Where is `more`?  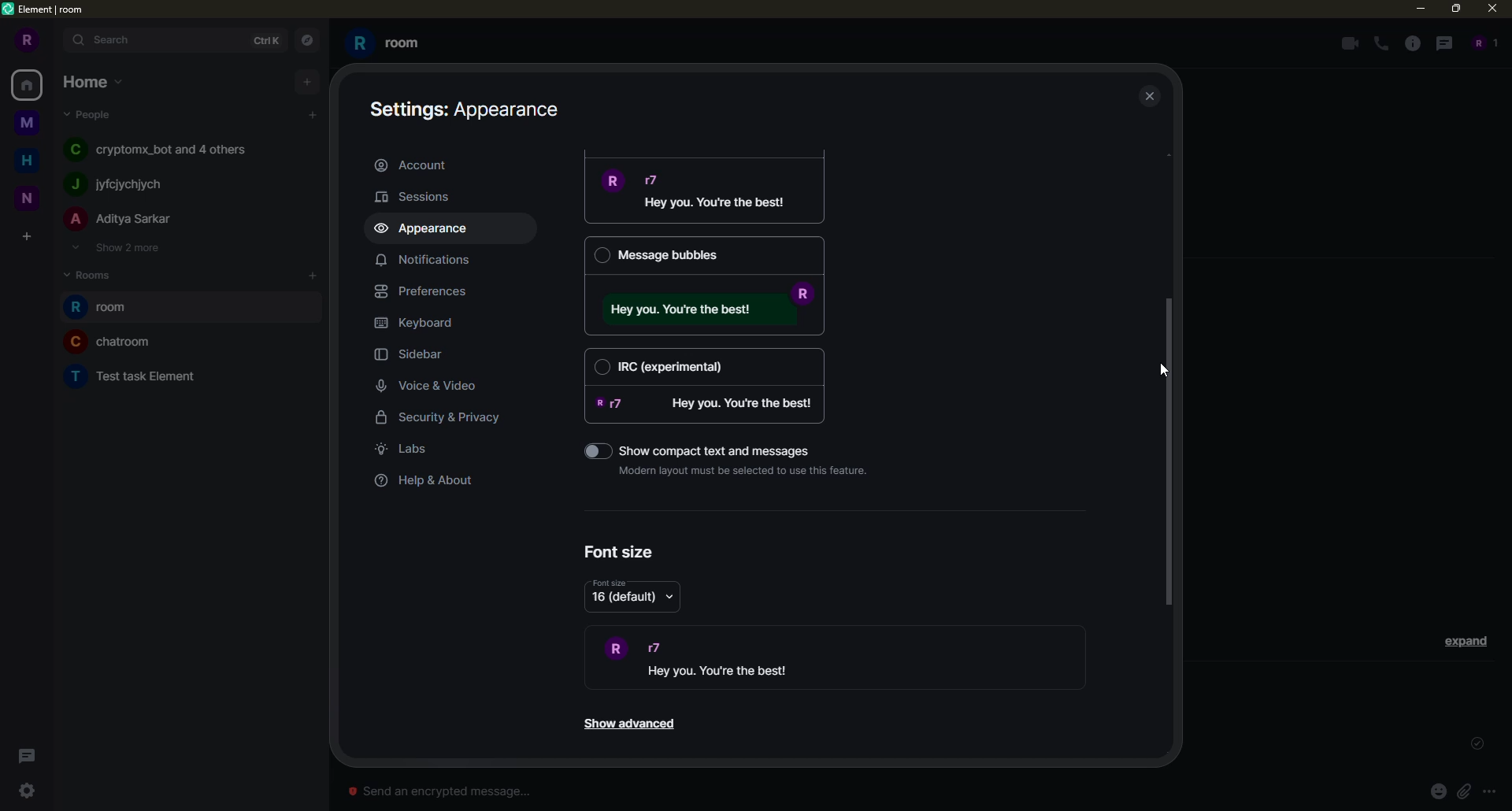 more is located at coordinates (1490, 792).